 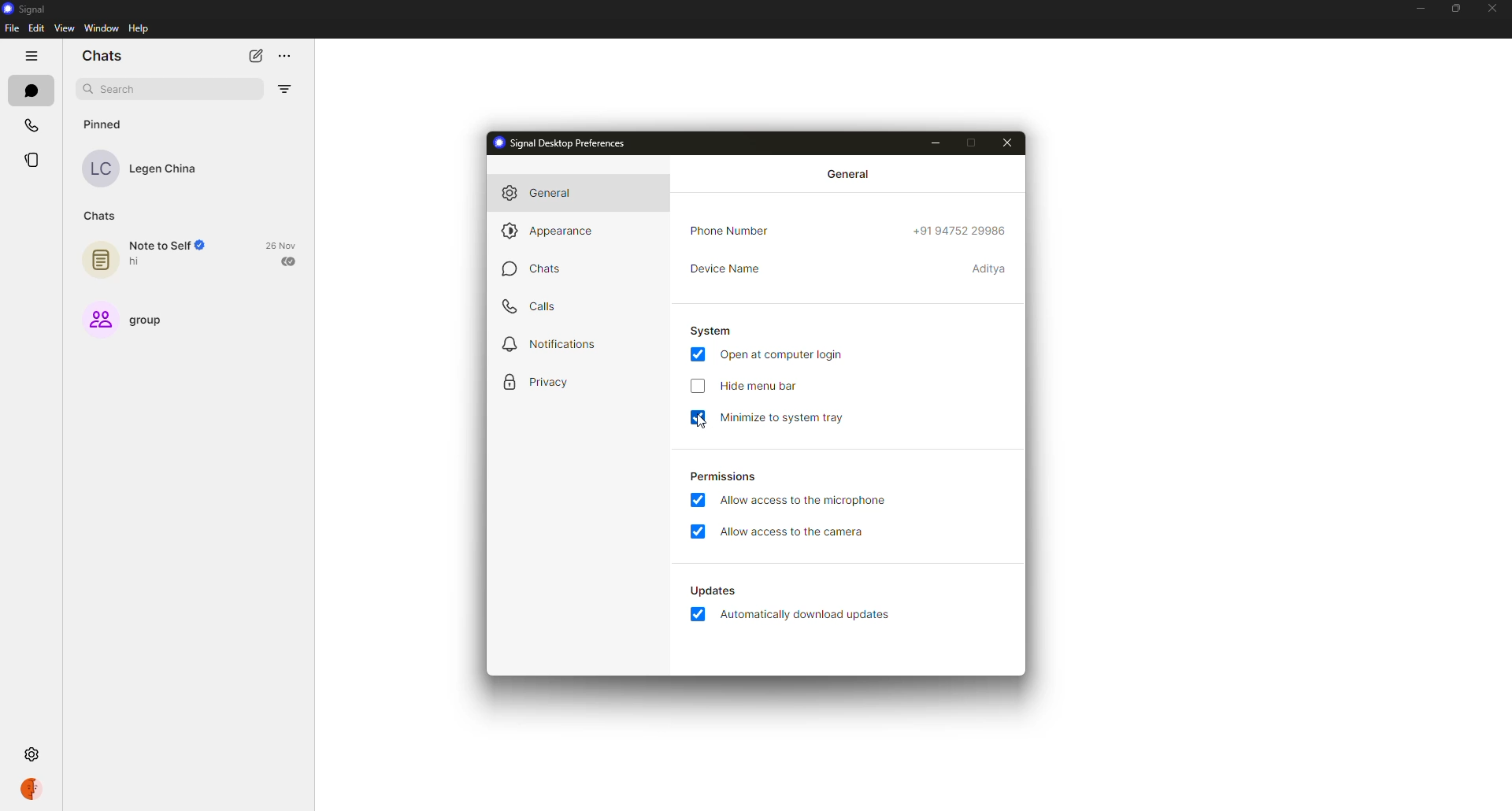 I want to click on stories, so click(x=34, y=159).